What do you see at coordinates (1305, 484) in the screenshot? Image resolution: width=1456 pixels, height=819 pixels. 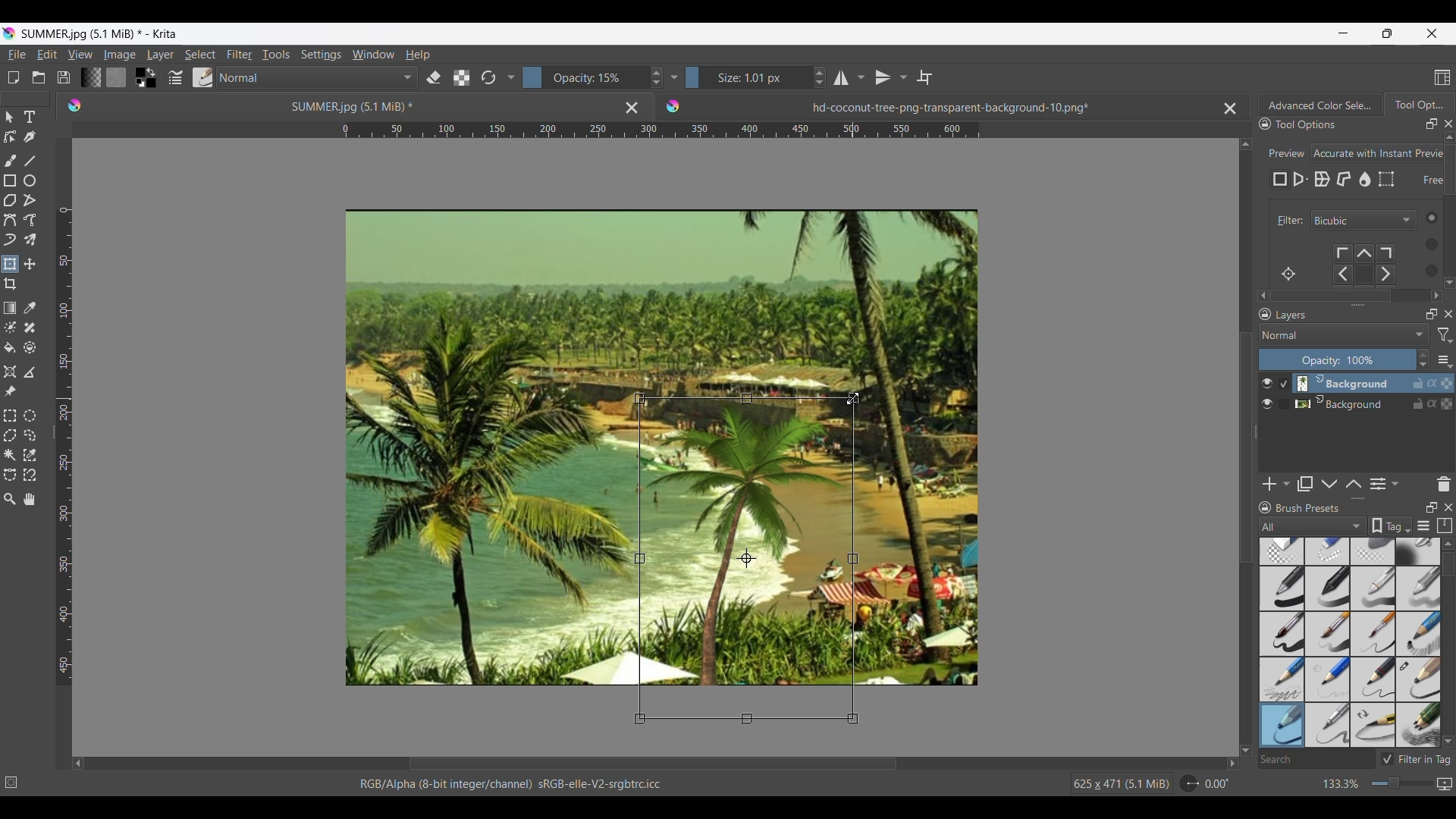 I see `Duplicate layer/mask` at bounding box center [1305, 484].